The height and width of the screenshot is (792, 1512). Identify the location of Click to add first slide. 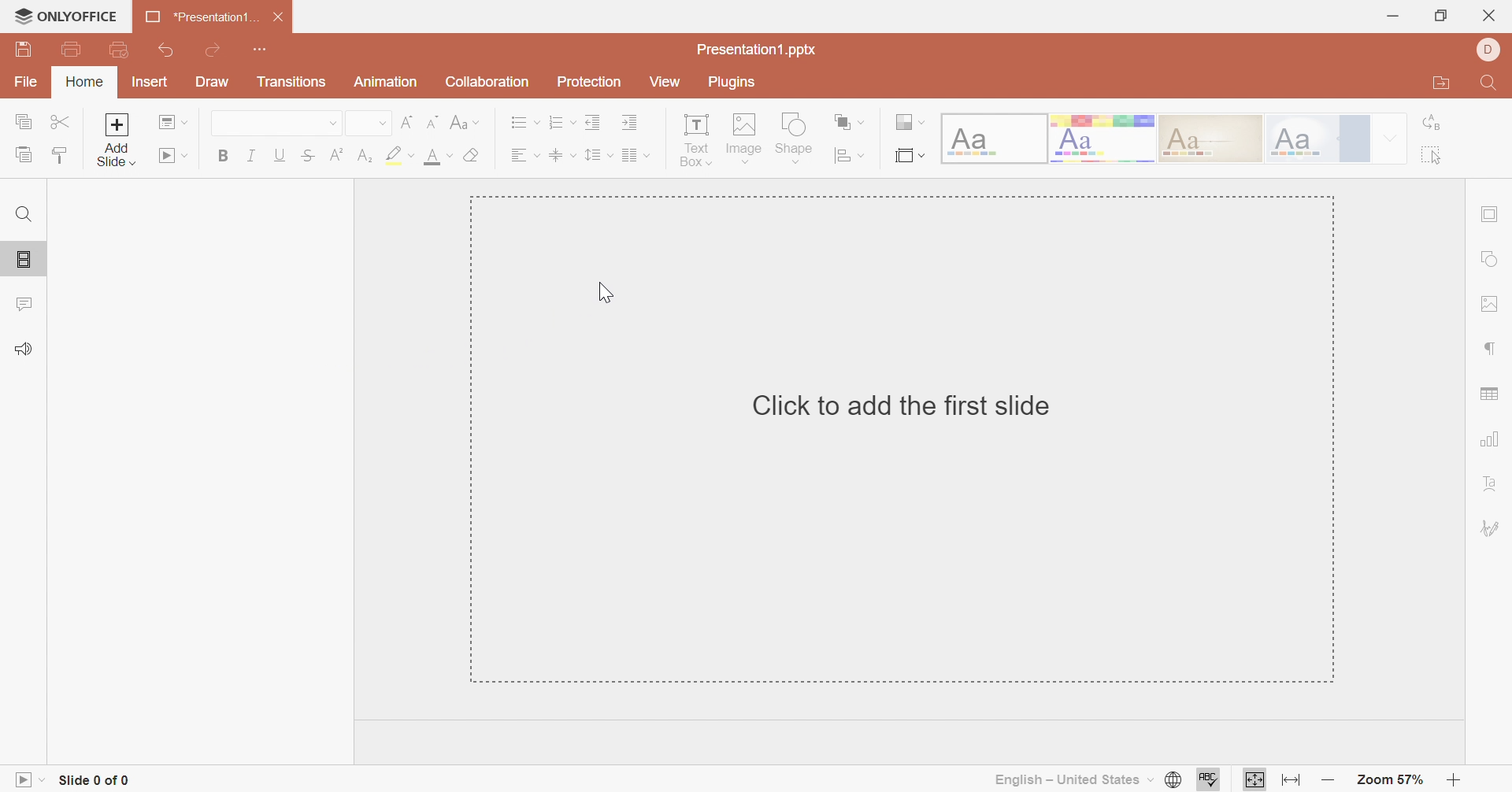
(902, 405).